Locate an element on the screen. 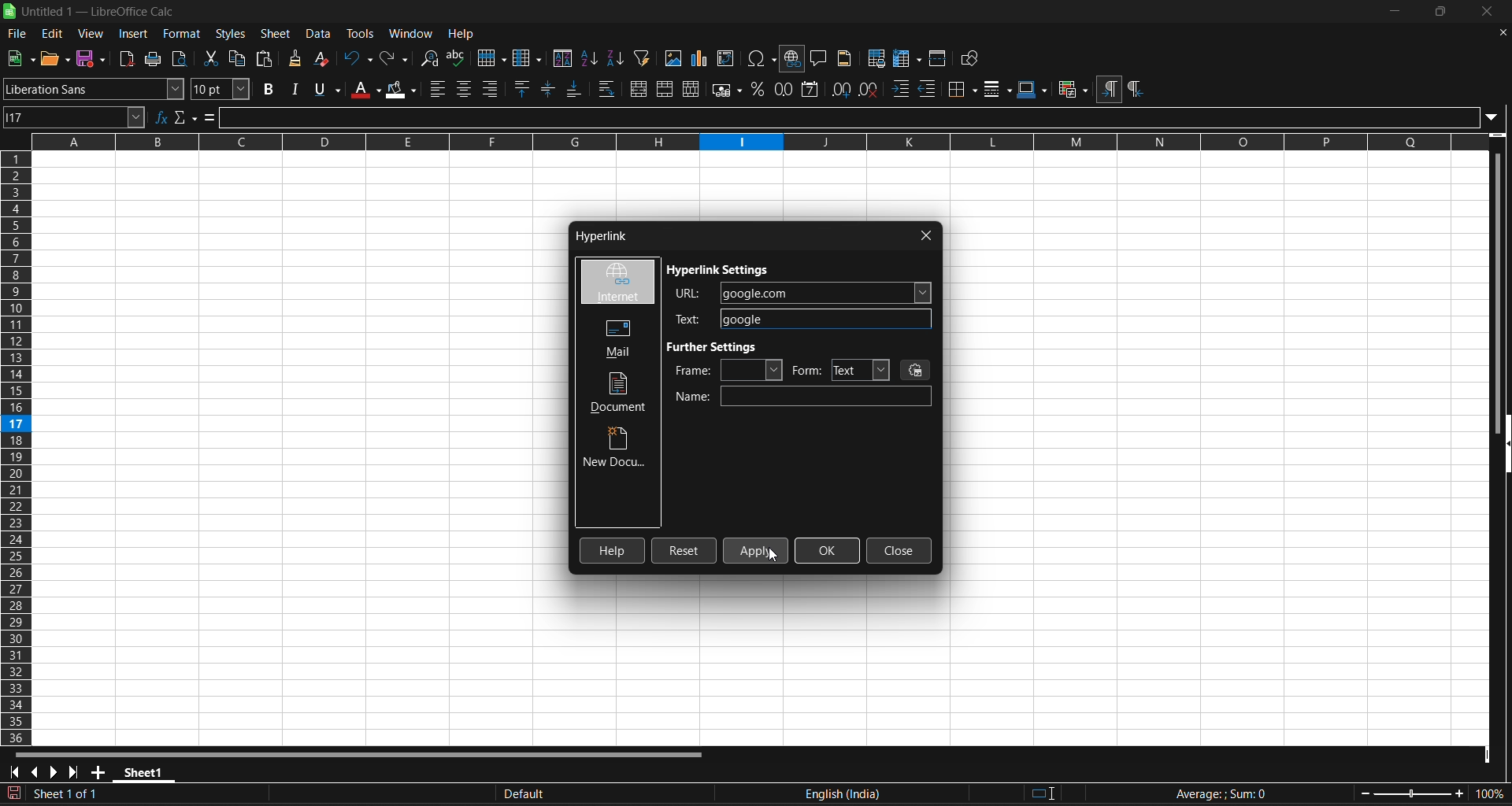 The image size is (1512, 806). name box is located at coordinates (76, 117).